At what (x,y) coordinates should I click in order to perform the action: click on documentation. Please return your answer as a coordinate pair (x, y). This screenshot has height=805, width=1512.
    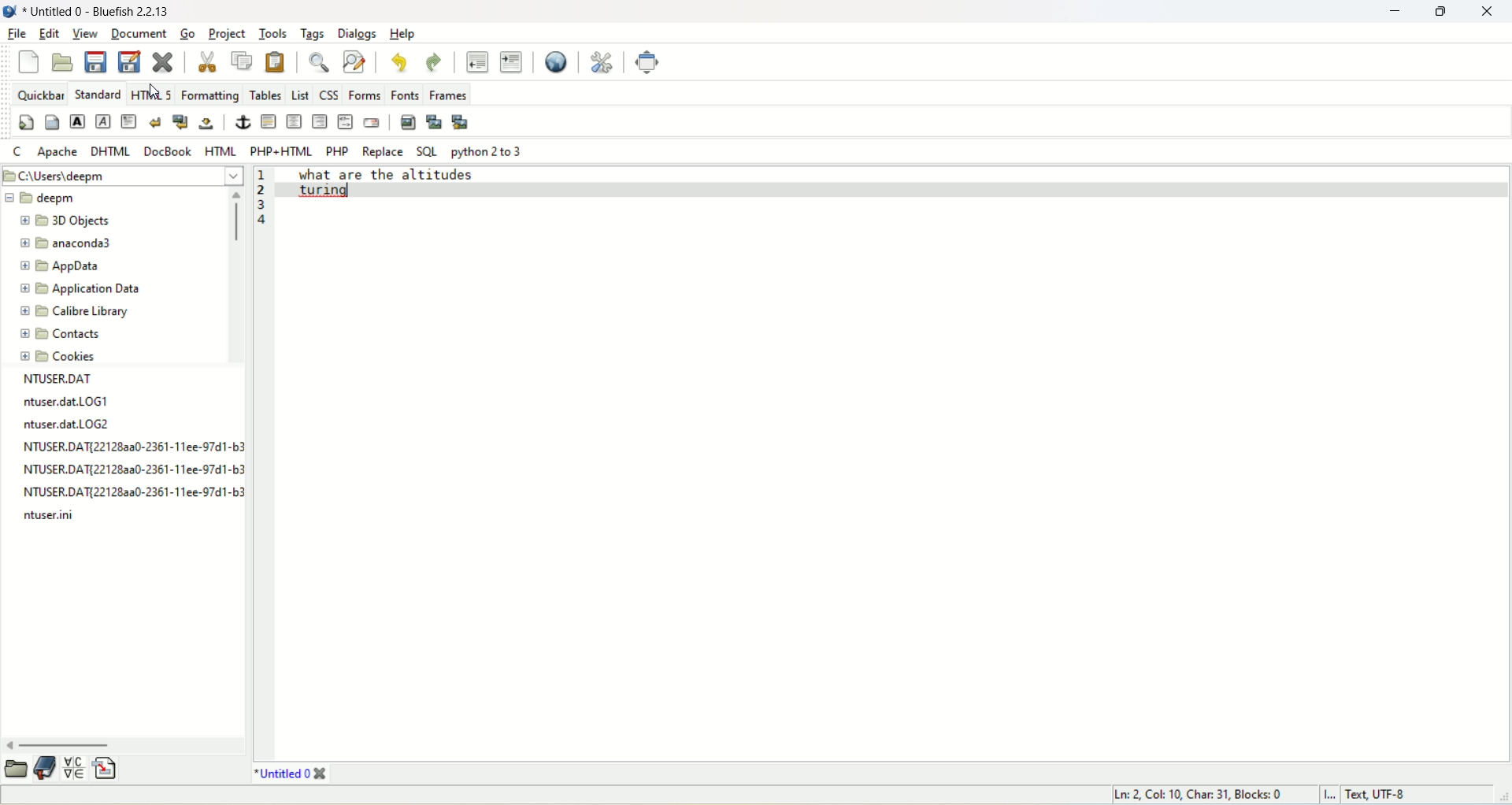
    Looking at the image, I should click on (45, 767).